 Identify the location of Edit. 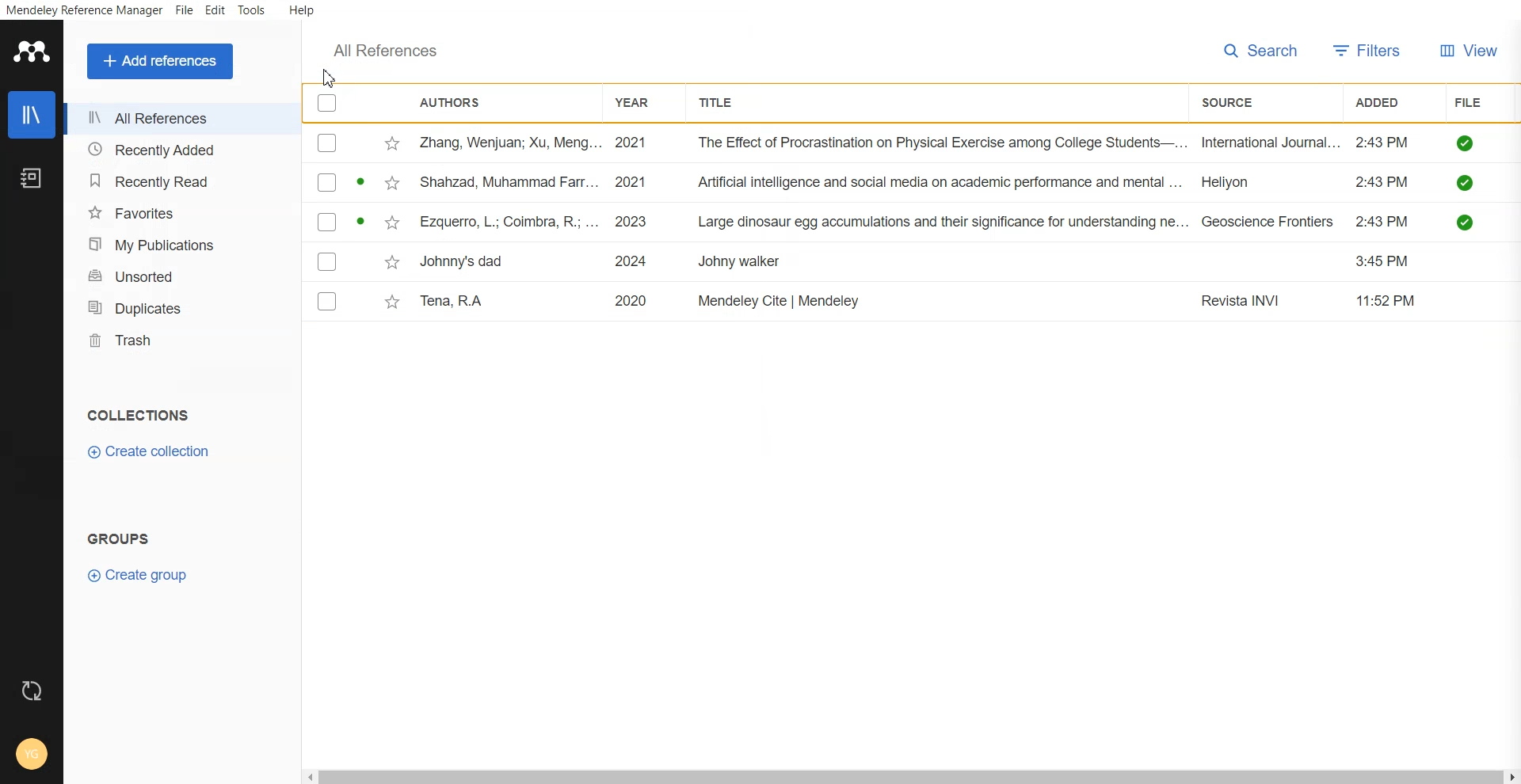
(215, 11).